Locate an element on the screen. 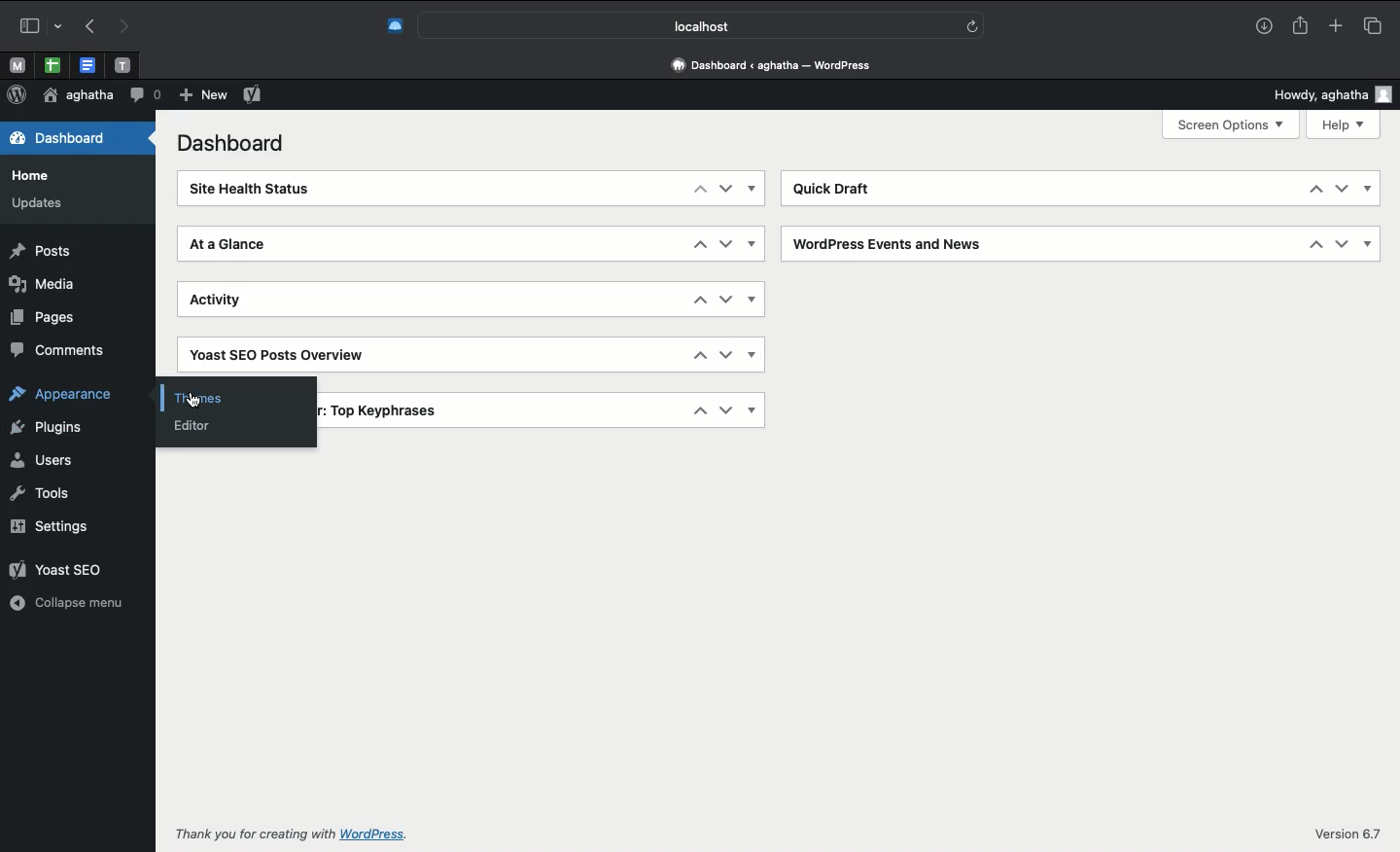 The width and height of the screenshot is (1400, 852). Activity is located at coordinates (234, 303).